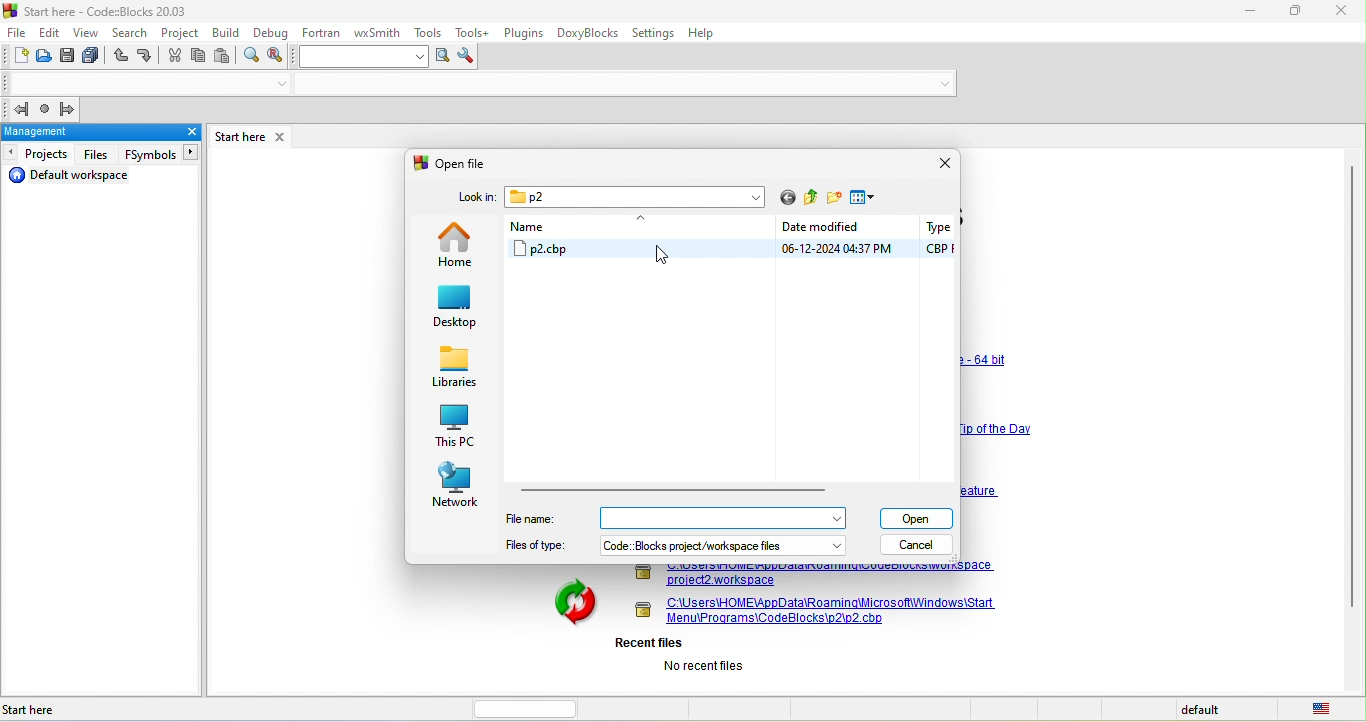 The height and width of the screenshot is (722, 1366). Describe the element at coordinates (70, 54) in the screenshot. I see `save` at that location.